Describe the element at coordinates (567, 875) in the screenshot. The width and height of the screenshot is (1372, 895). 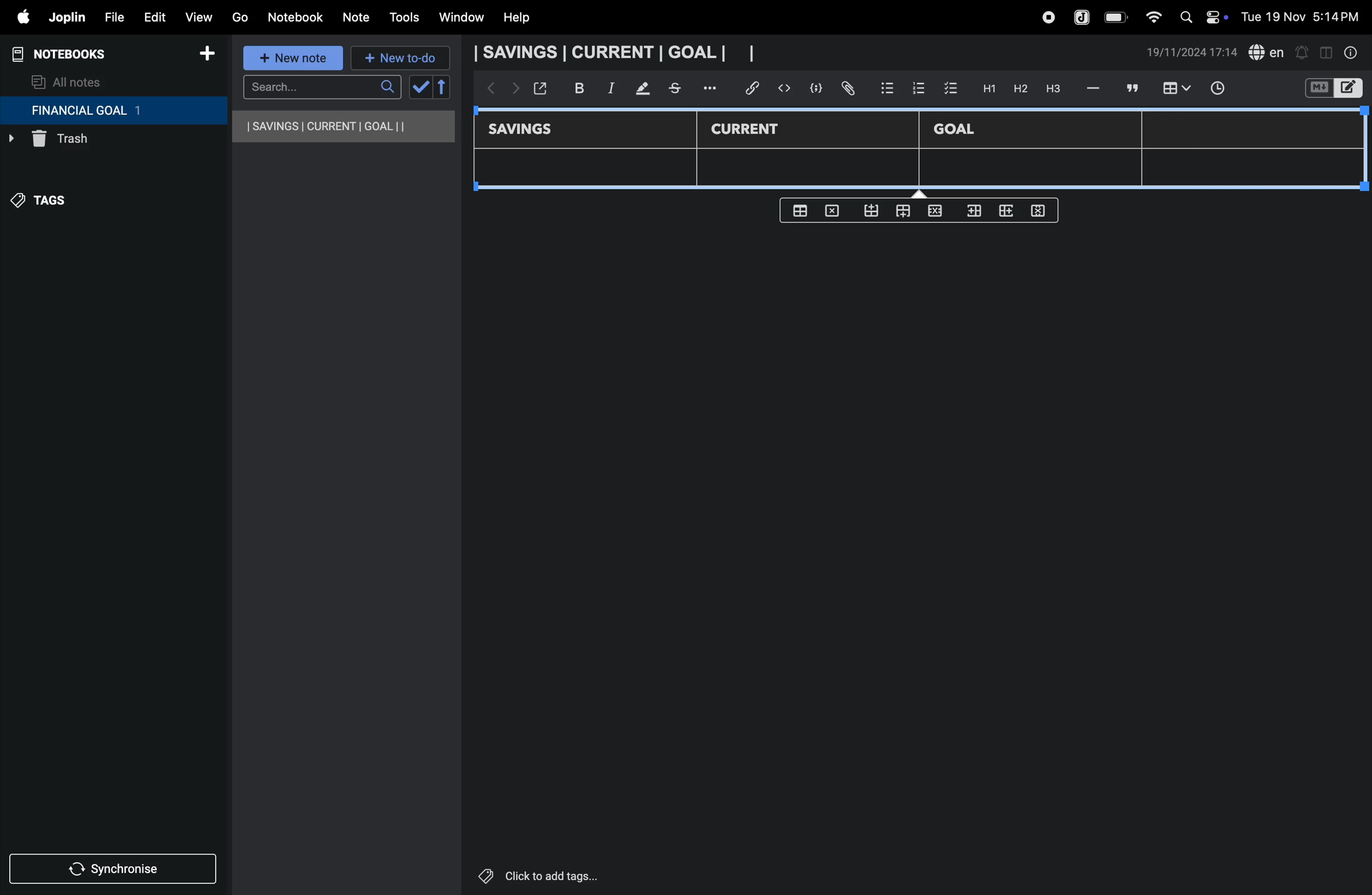
I see `click to add tags` at that location.